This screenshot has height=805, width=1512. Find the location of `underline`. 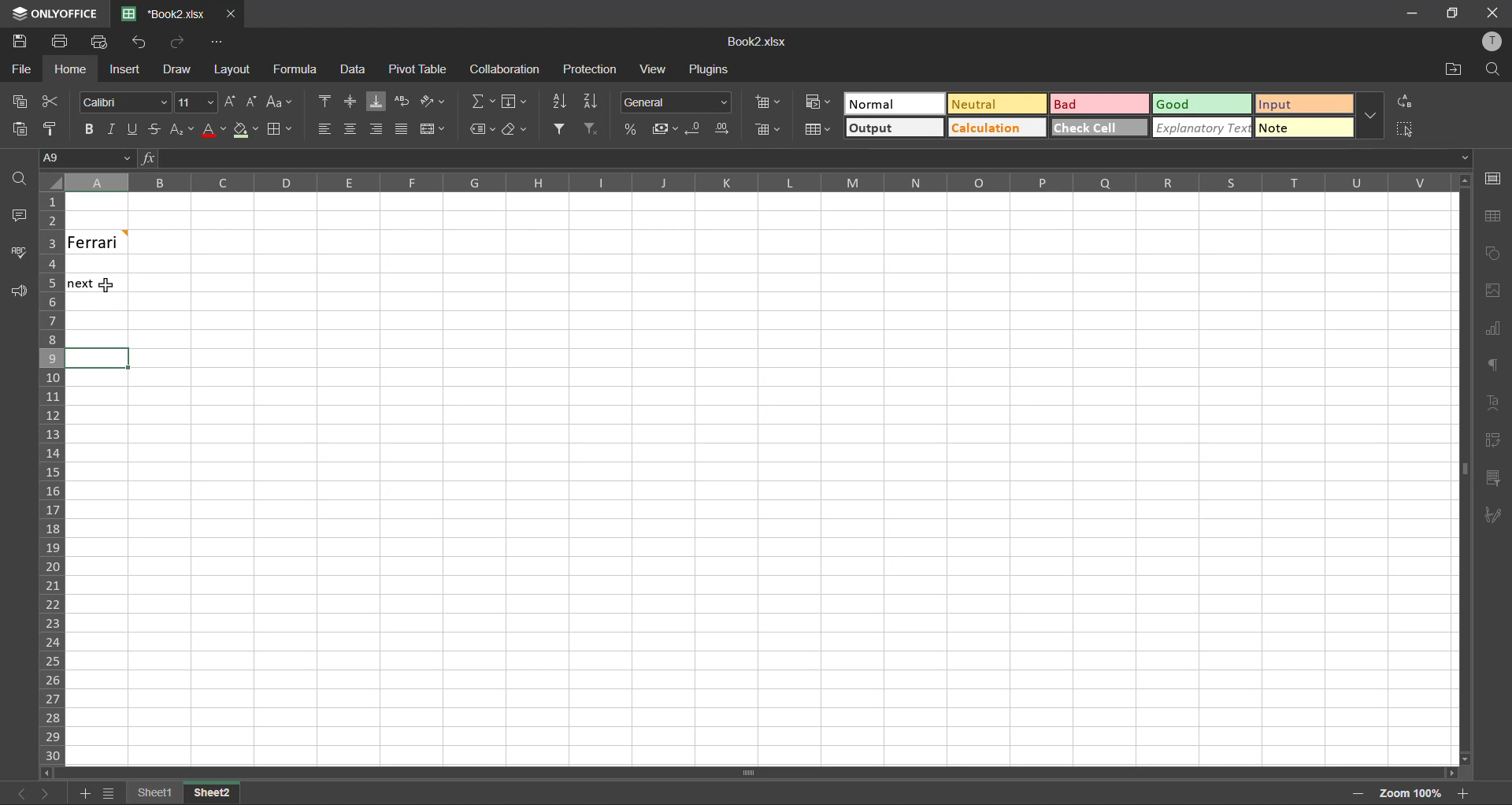

underline is located at coordinates (132, 131).